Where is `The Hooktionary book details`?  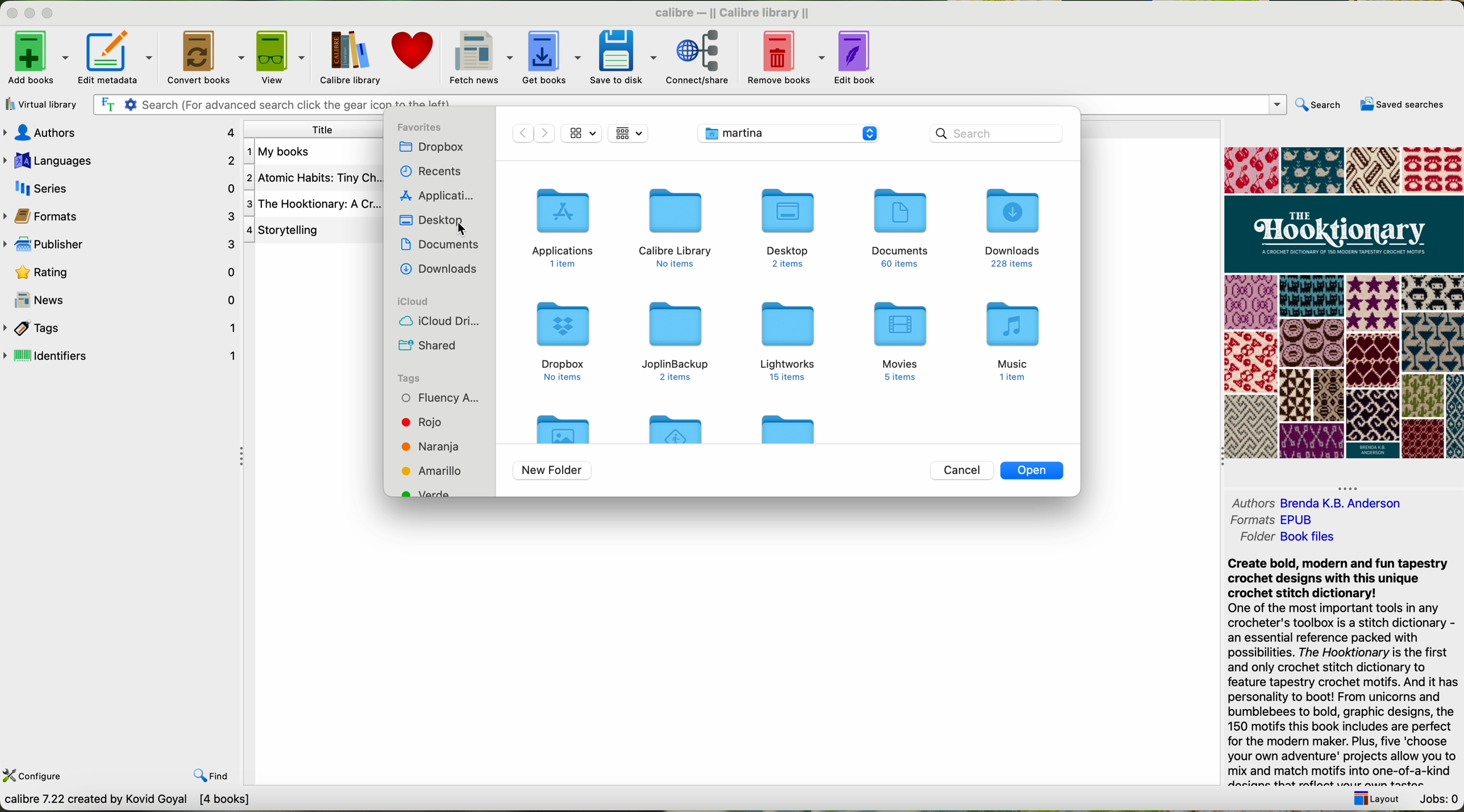 The Hooktionary book details is located at coordinates (311, 179).